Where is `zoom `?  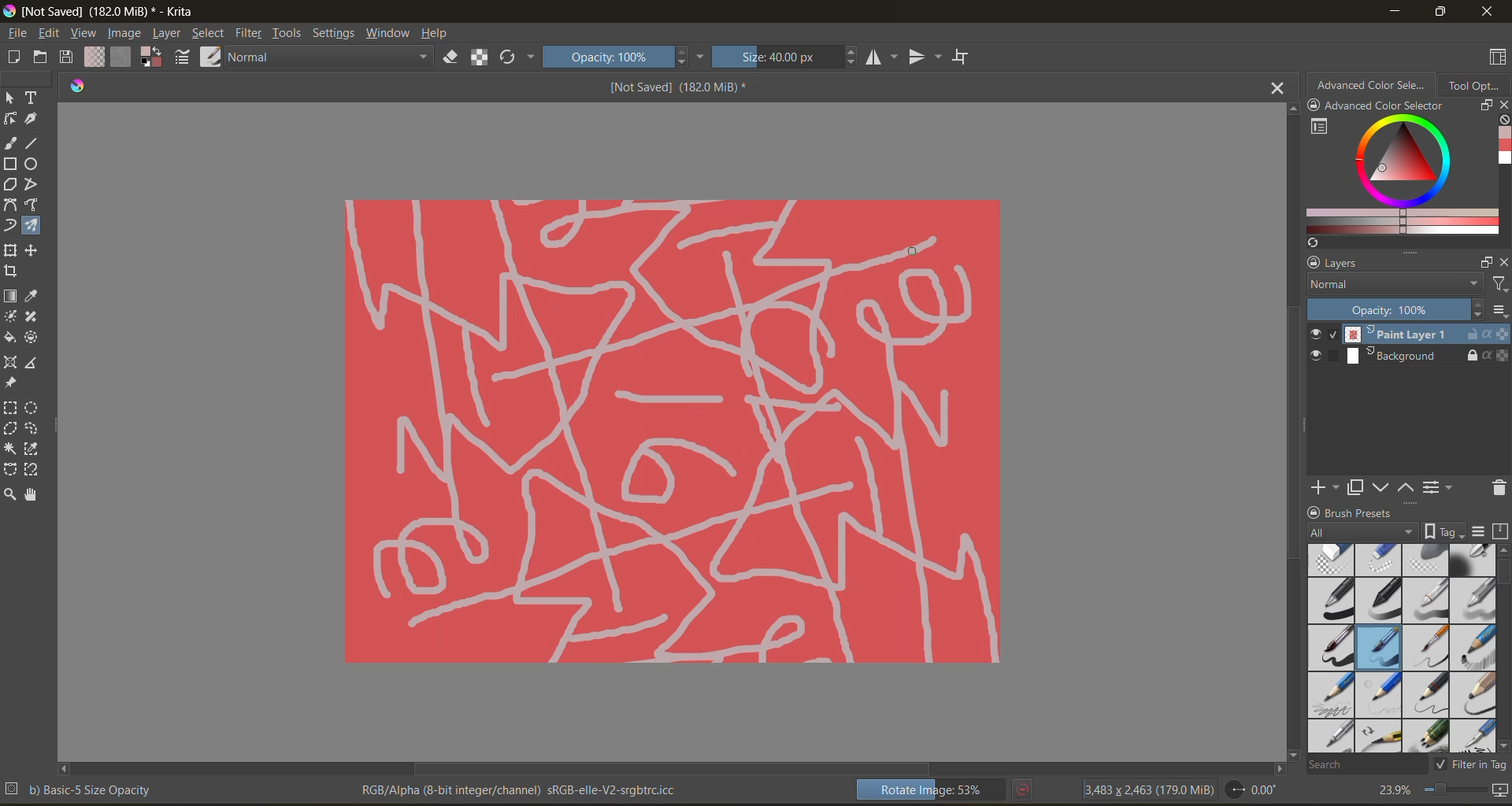 zoom  is located at coordinates (1451, 789).